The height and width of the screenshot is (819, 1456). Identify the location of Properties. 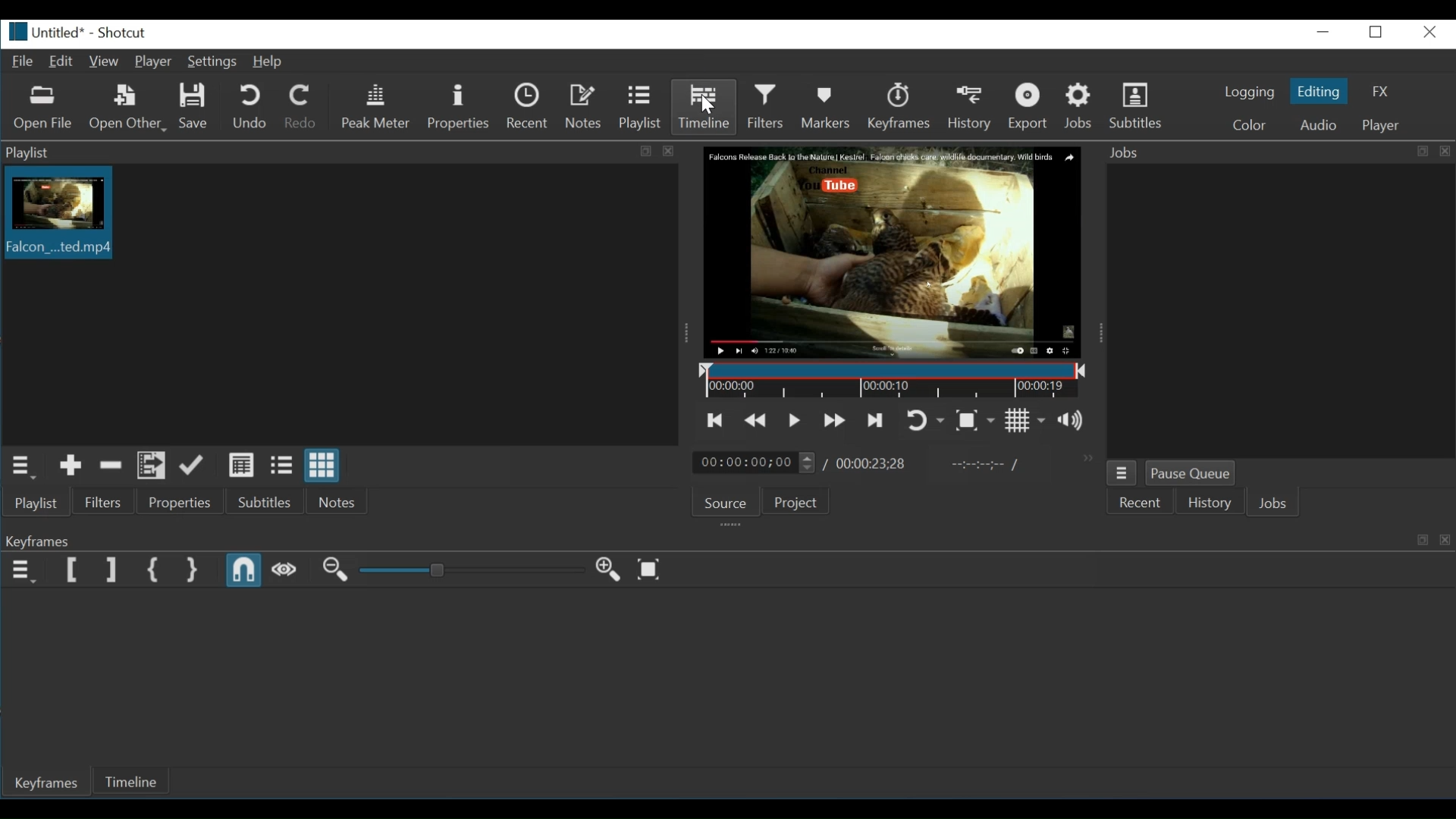
(458, 108).